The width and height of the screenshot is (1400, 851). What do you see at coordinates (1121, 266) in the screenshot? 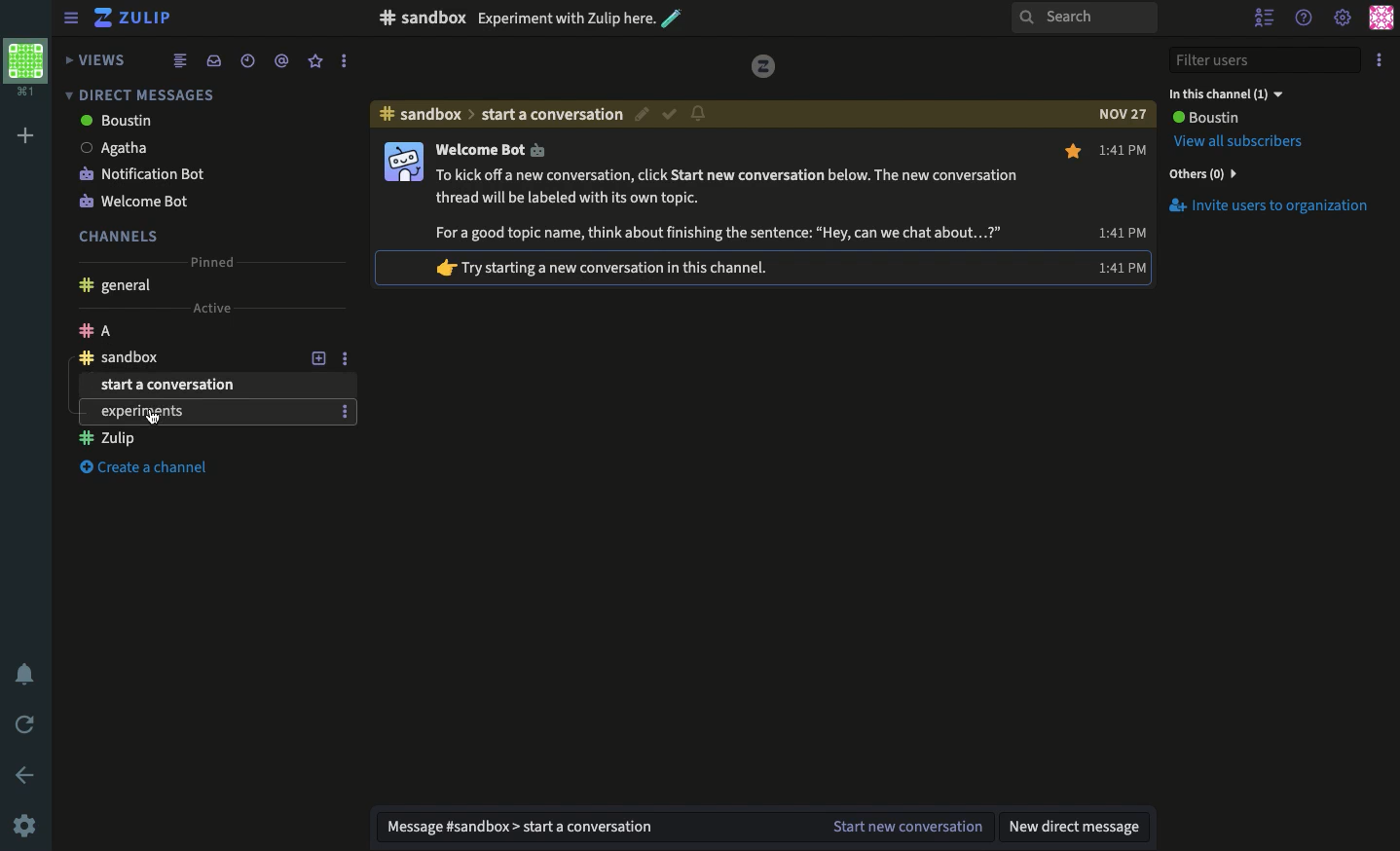
I see `time` at bounding box center [1121, 266].